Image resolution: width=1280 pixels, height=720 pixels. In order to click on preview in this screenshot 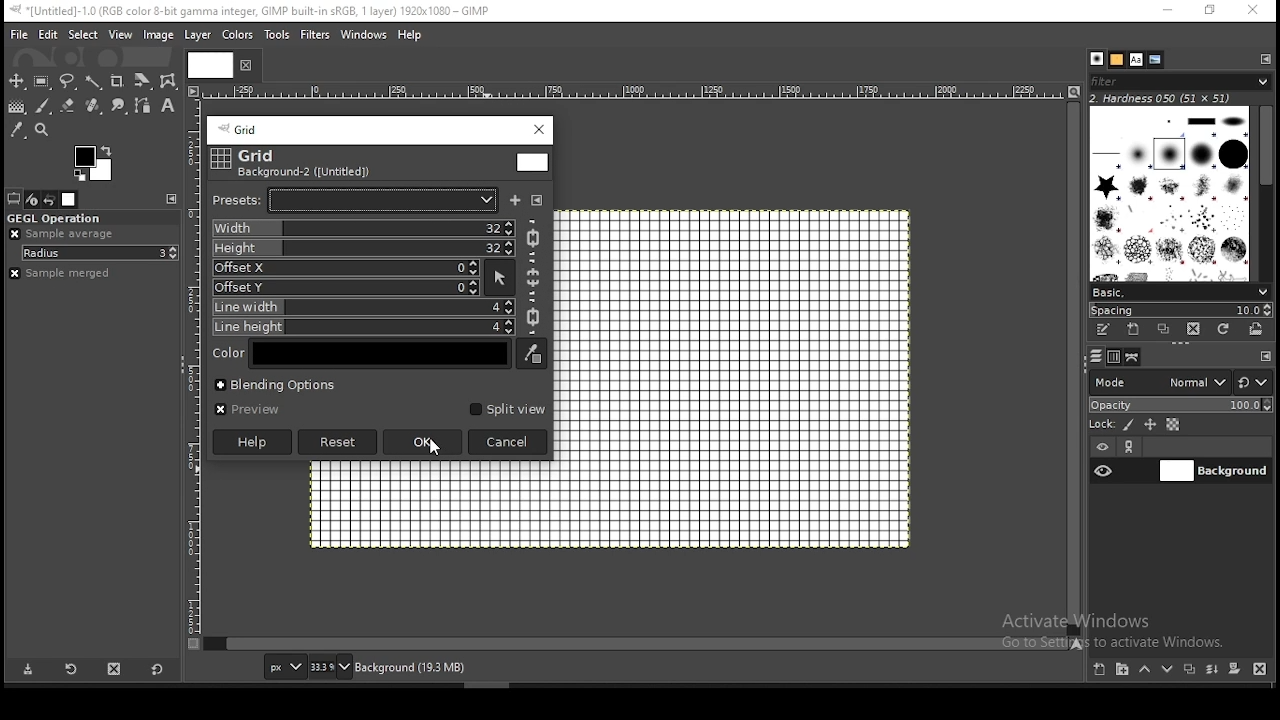, I will do `click(247, 410)`.